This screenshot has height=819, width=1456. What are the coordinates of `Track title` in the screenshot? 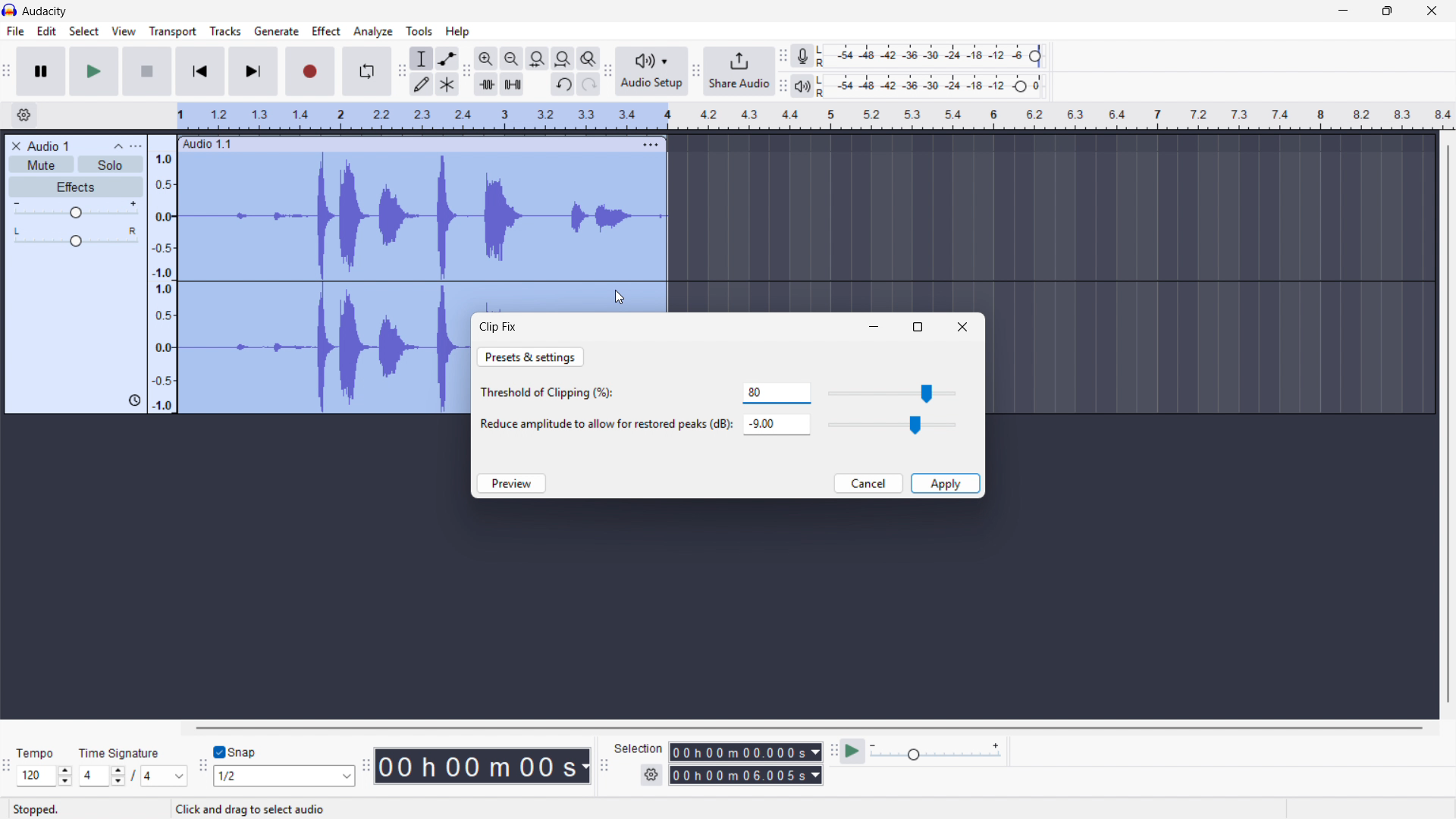 It's located at (49, 146).